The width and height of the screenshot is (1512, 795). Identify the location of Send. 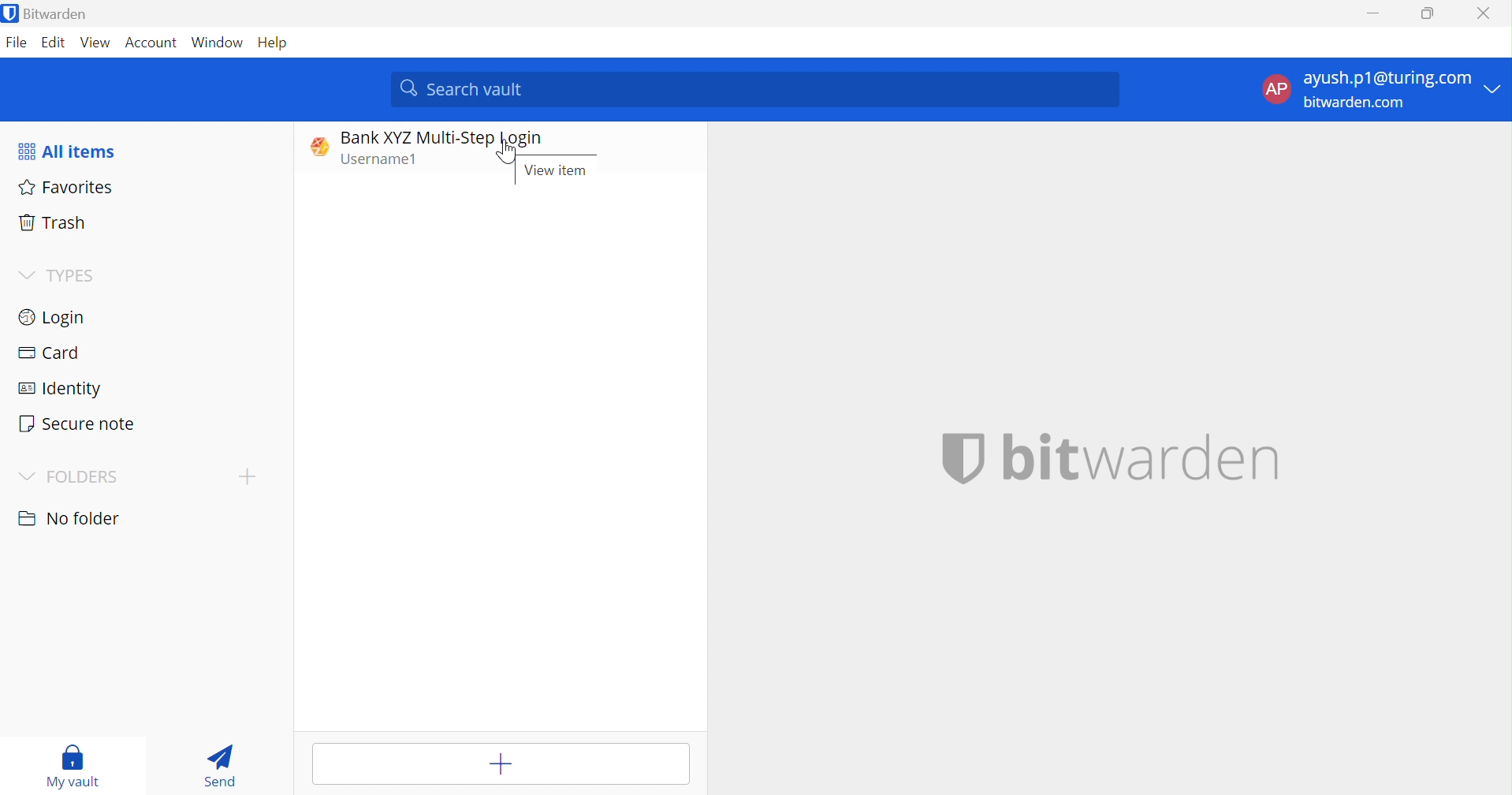
(220, 765).